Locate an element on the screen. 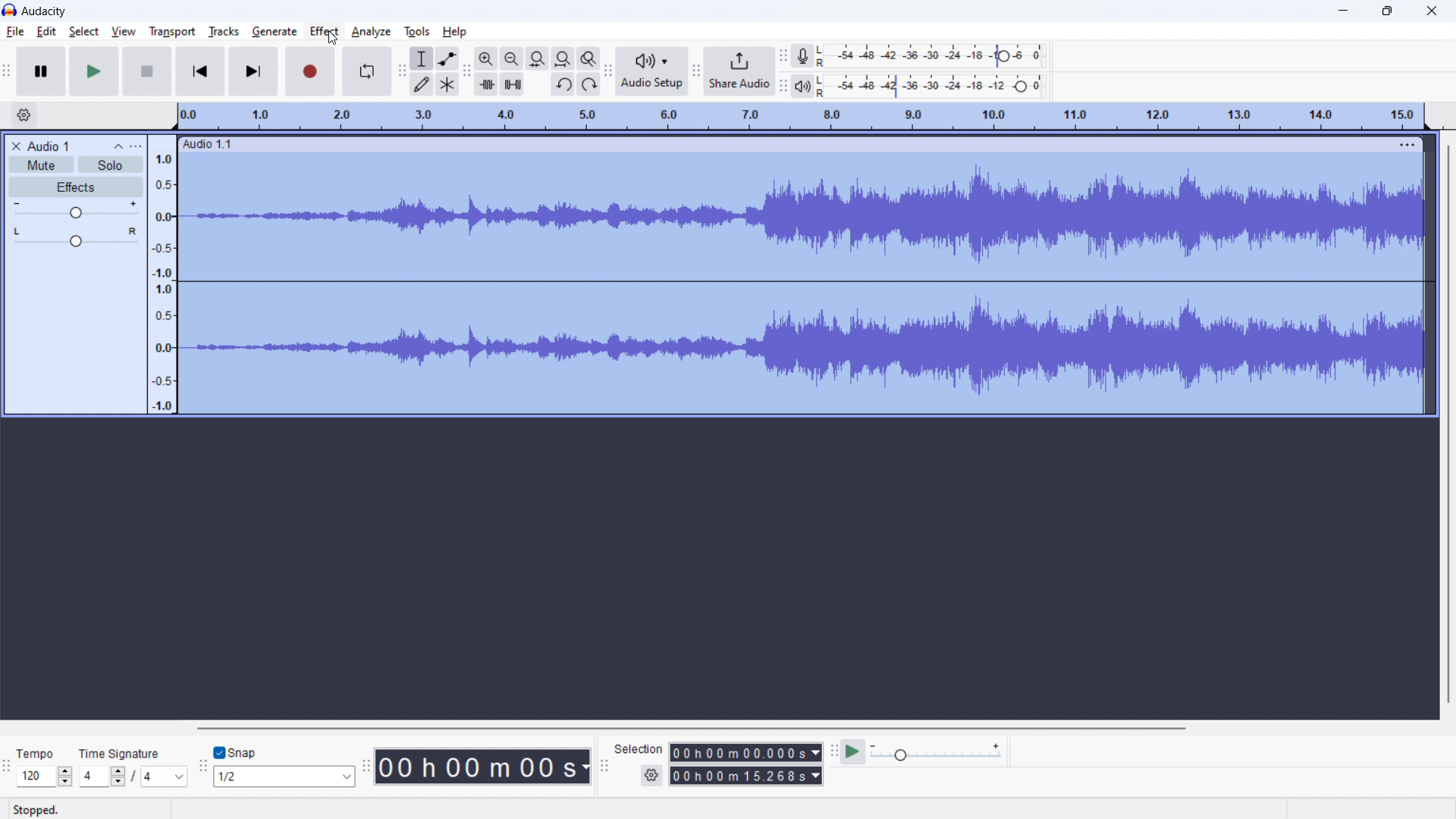 This screenshot has width=1456, height=819. skip to start is located at coordinates (200, 71).